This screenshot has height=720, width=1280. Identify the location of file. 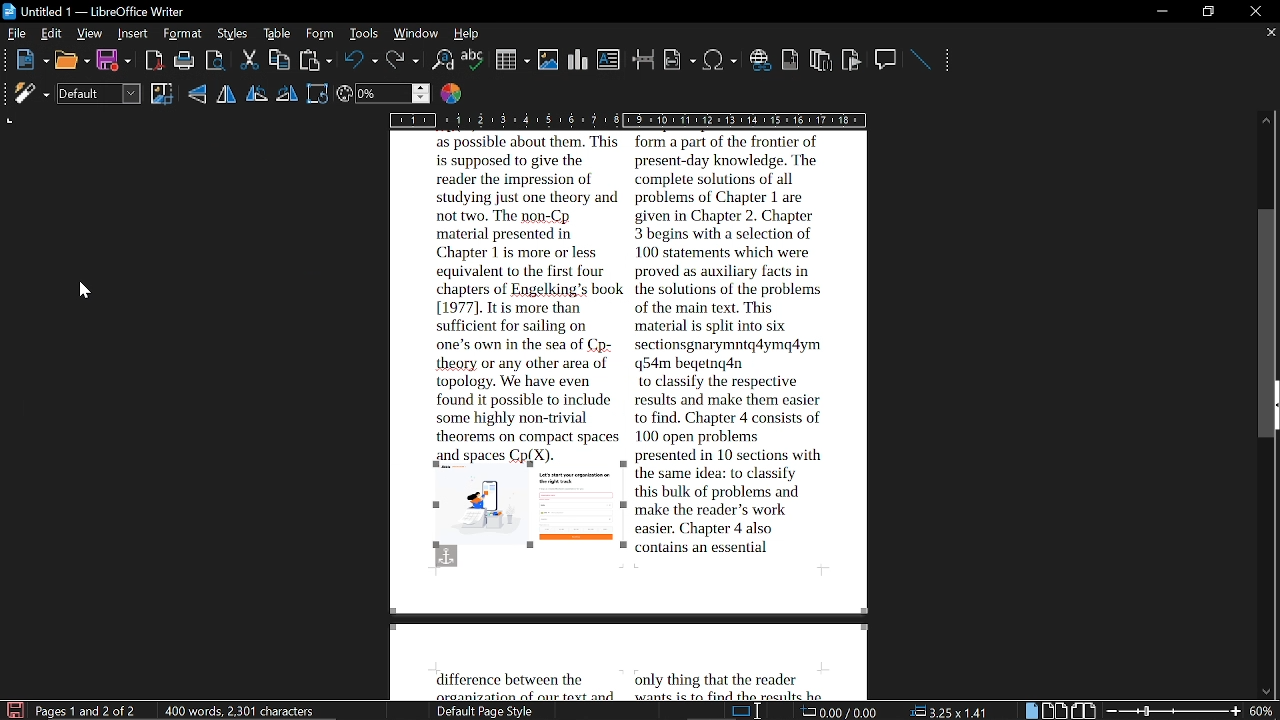
(14, 33).